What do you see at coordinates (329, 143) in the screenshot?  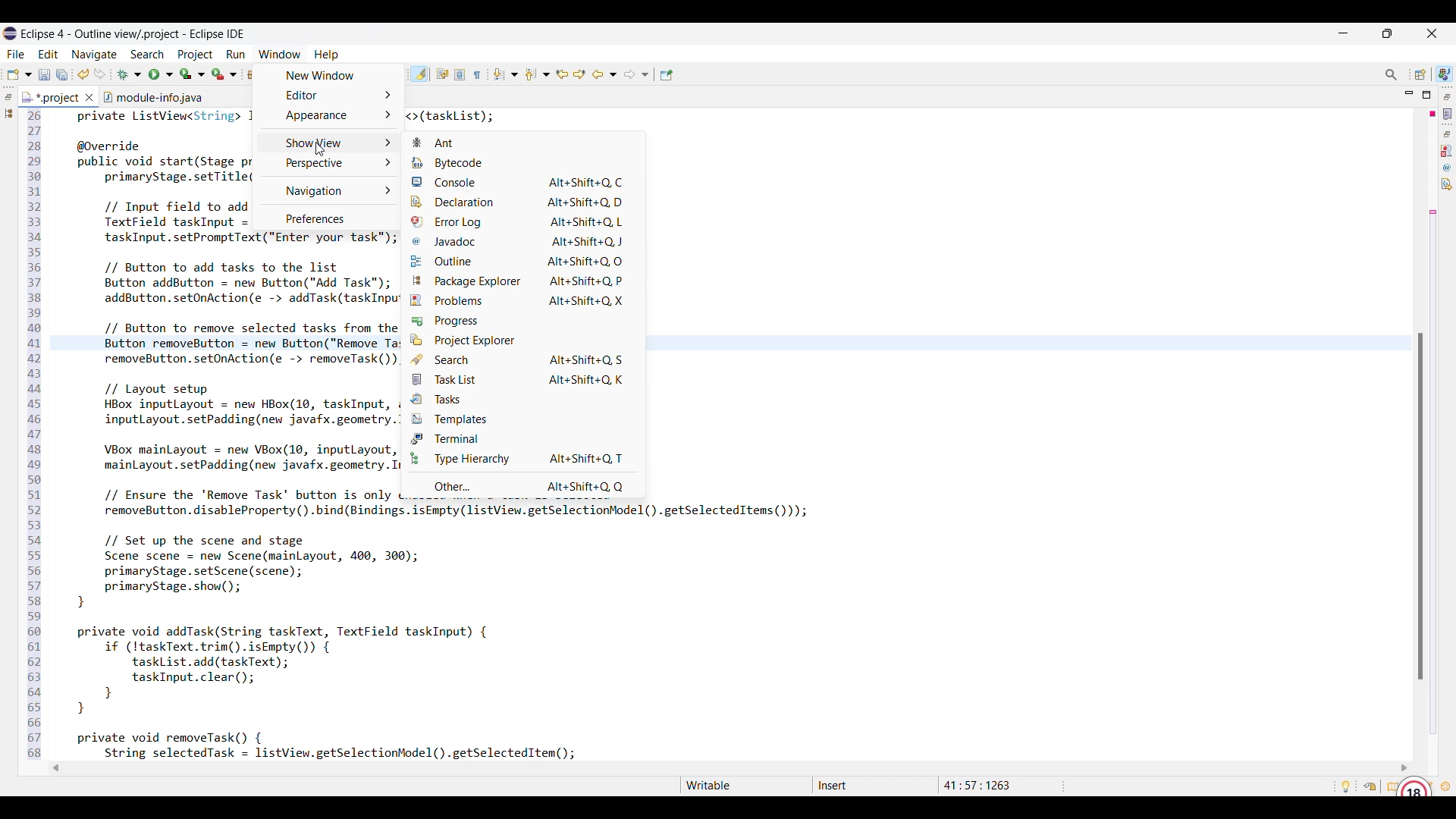 I see `Show view options` at bounding box center [329, 143].